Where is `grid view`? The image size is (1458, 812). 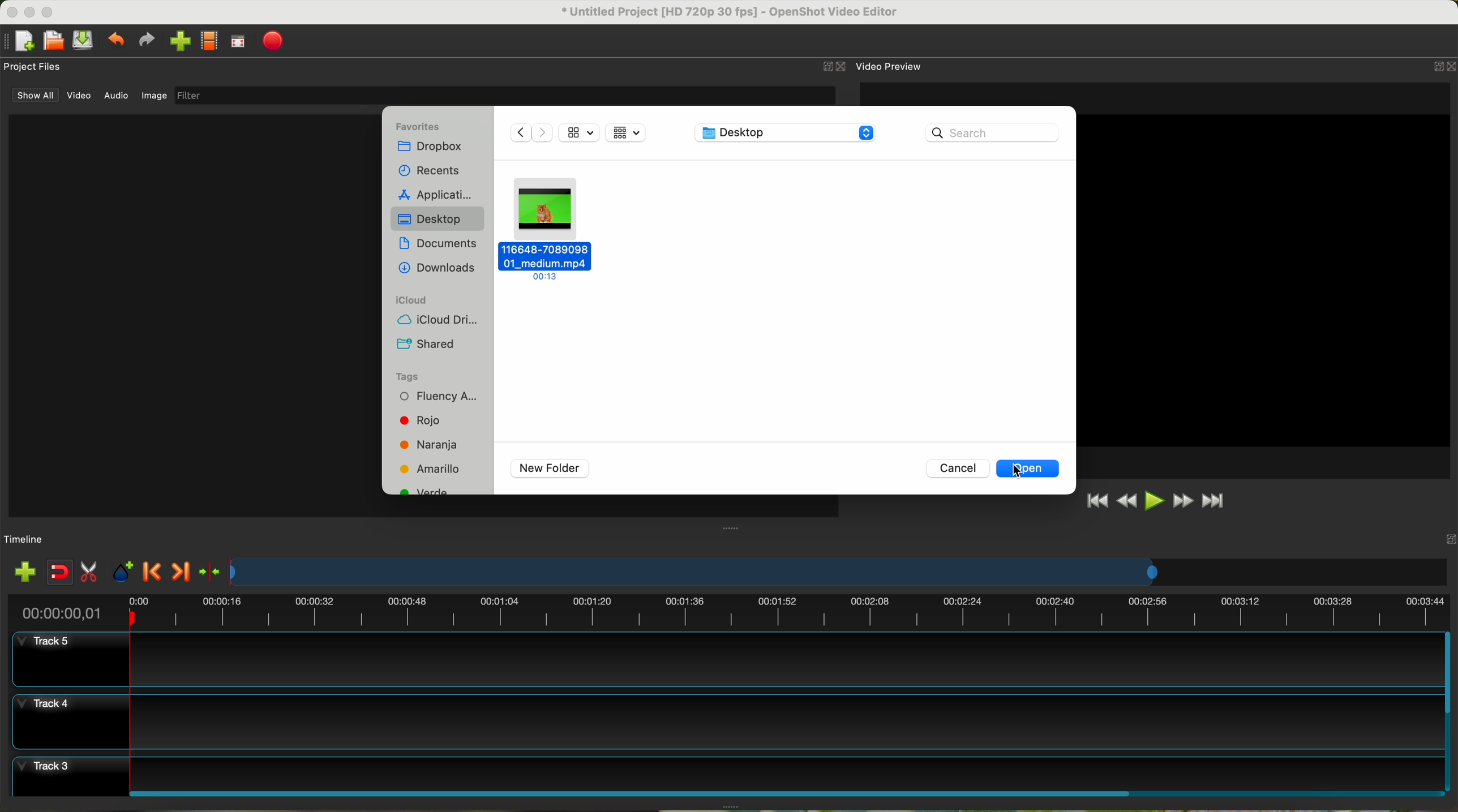 grid view is located at coordinates (628, 134).